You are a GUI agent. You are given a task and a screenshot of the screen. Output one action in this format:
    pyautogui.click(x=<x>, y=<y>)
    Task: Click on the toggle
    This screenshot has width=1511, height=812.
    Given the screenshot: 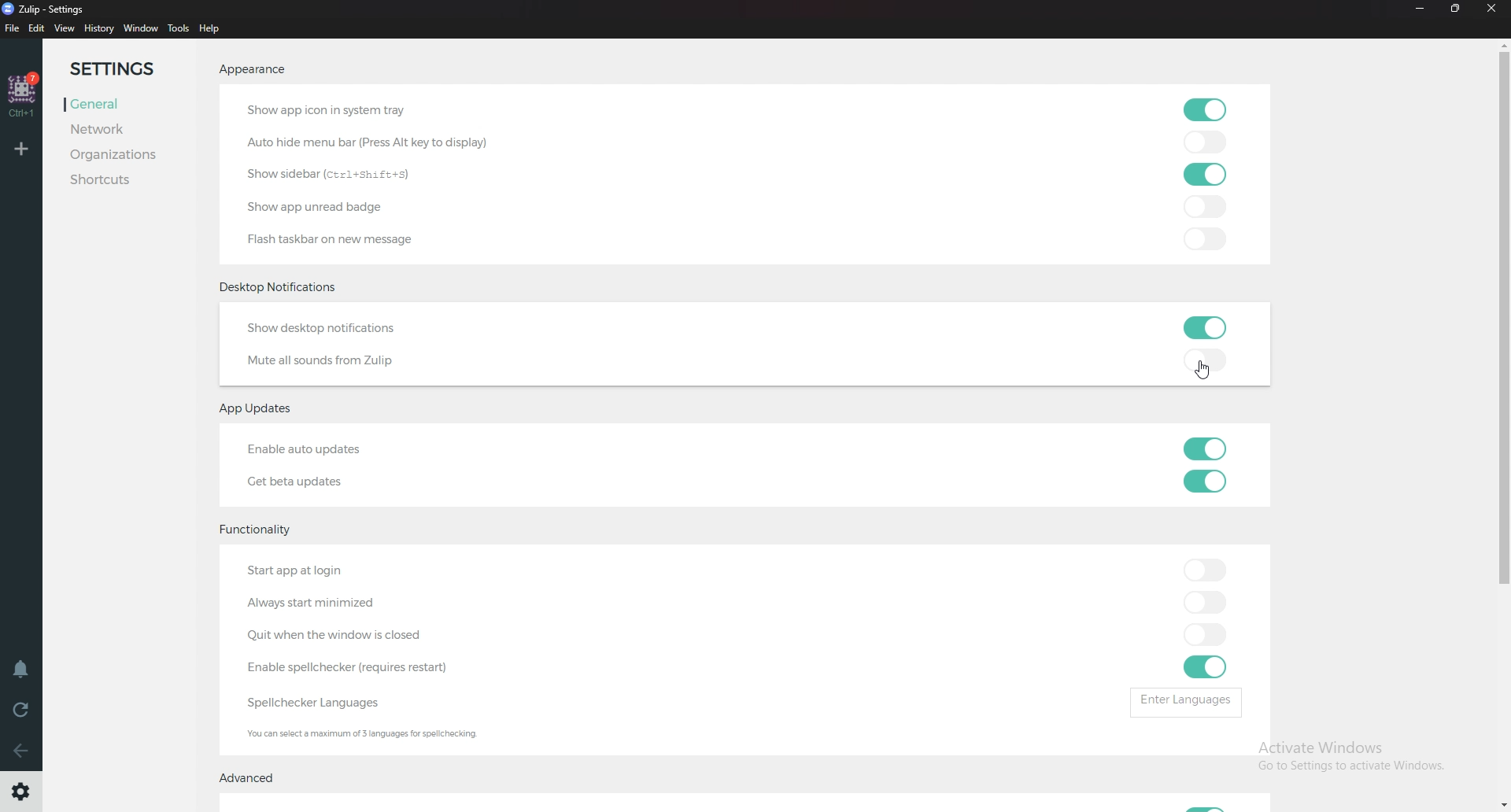 What is the action you would take?
    pyautogui.click(x=1206, y=109)
    